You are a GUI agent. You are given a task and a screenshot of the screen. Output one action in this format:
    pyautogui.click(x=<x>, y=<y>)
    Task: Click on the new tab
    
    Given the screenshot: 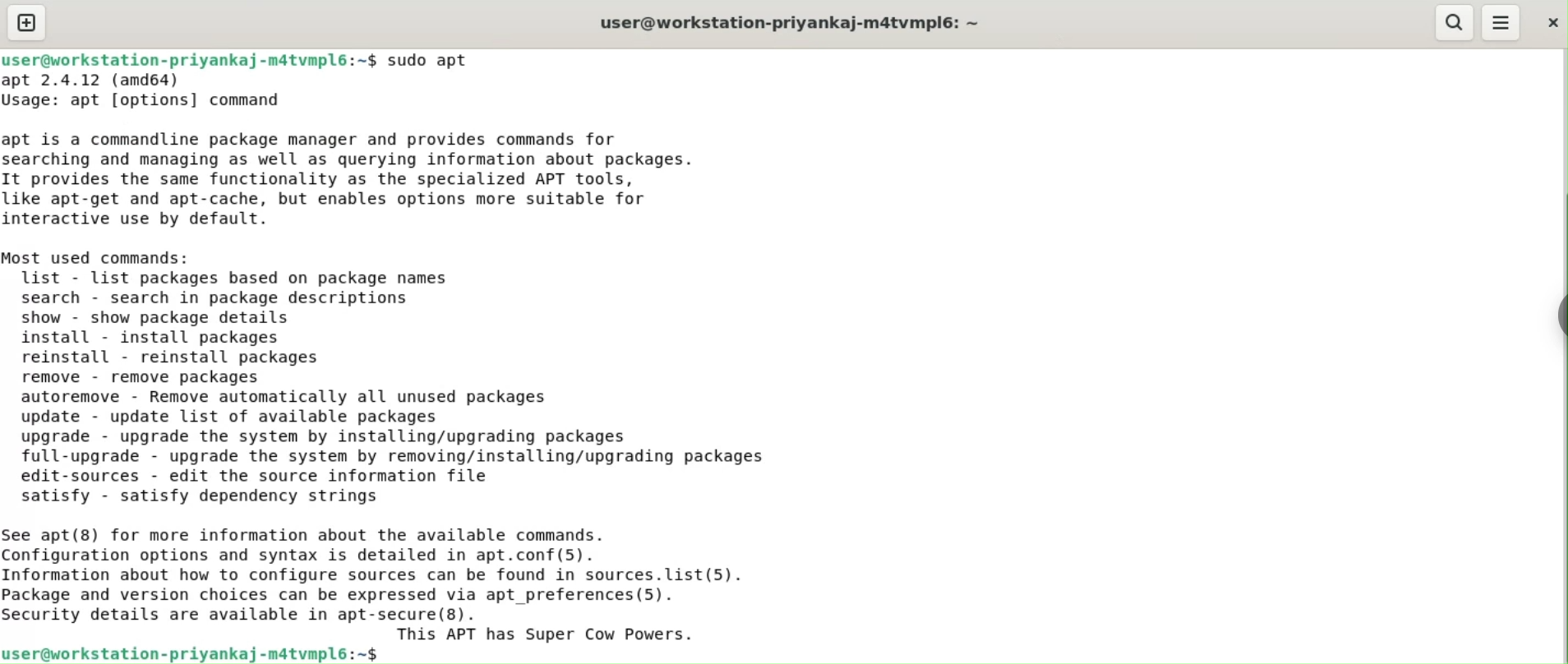 What is the action you would take?
    pyautogui.click(x=29, y=21)
    